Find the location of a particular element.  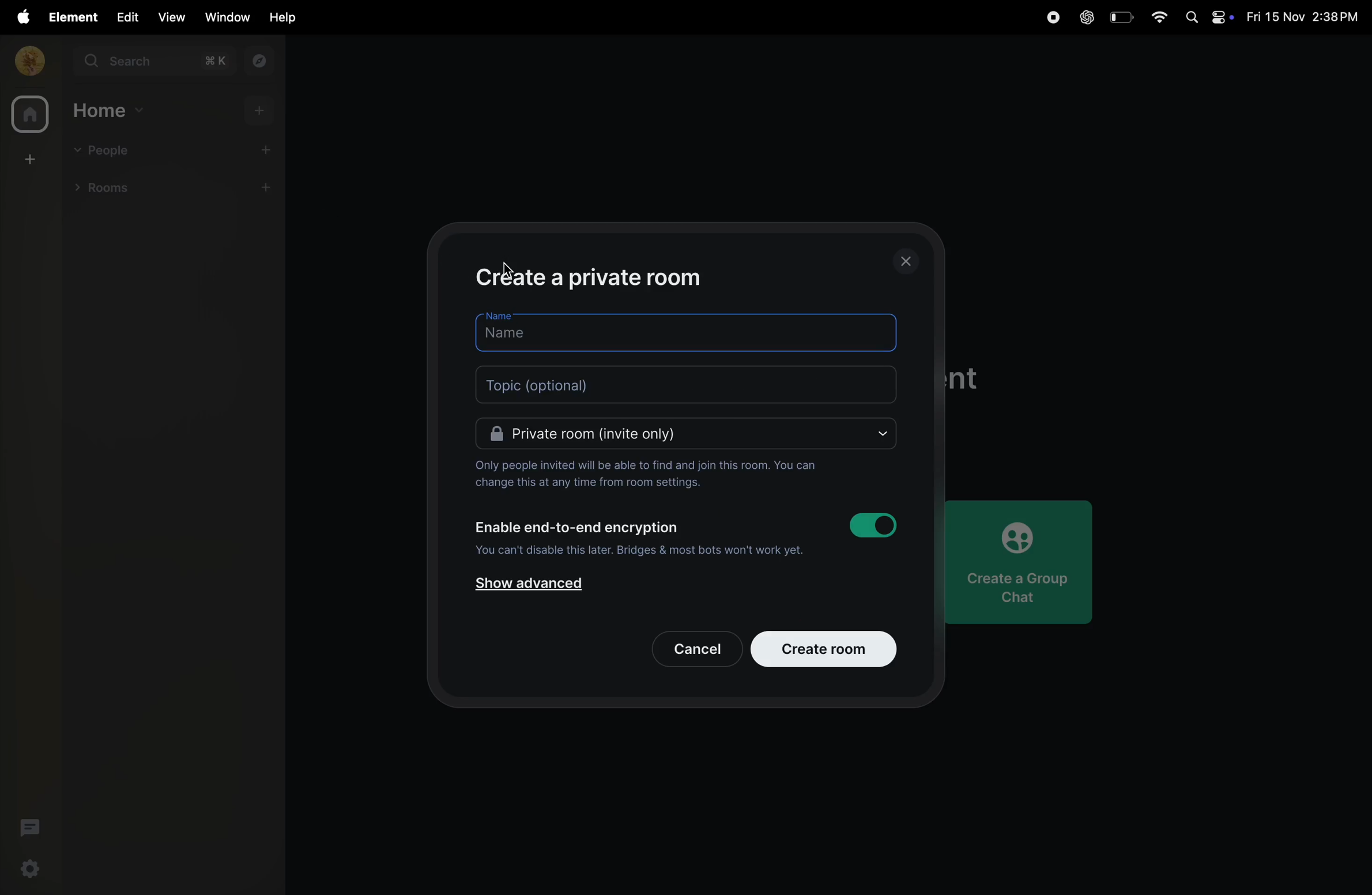

rooms is located at coordinates (107, 186).